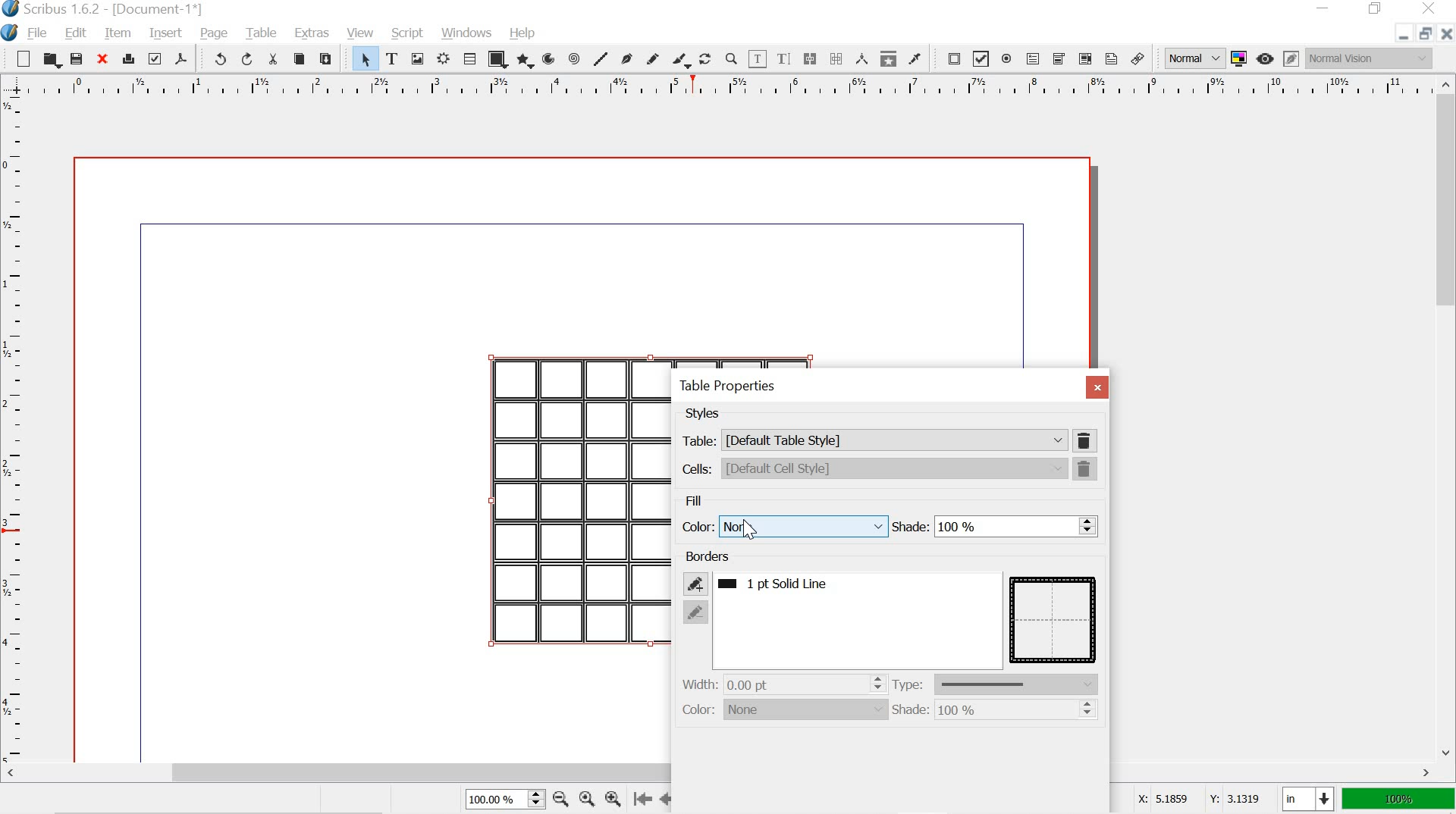 This screenshot has height=814, width=1456. I want to click on freehand line, so click(654, 58).